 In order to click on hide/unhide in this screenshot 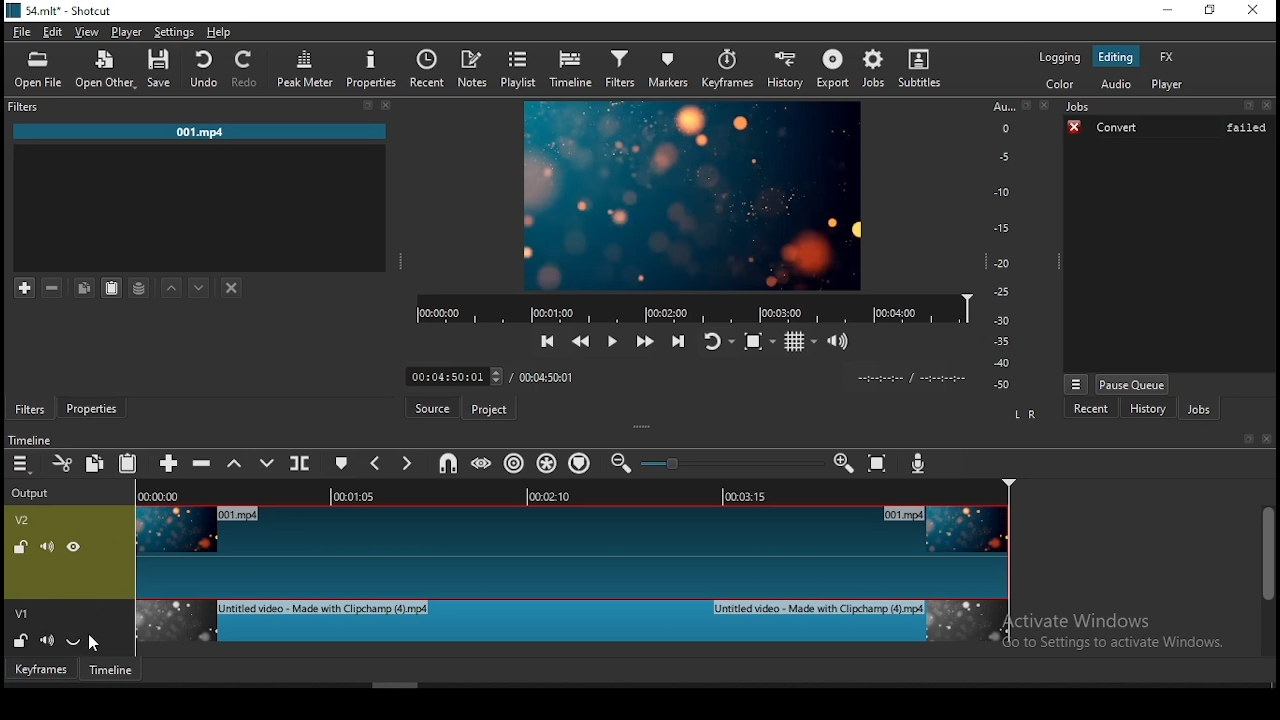, I will do `click(74, 547)`.